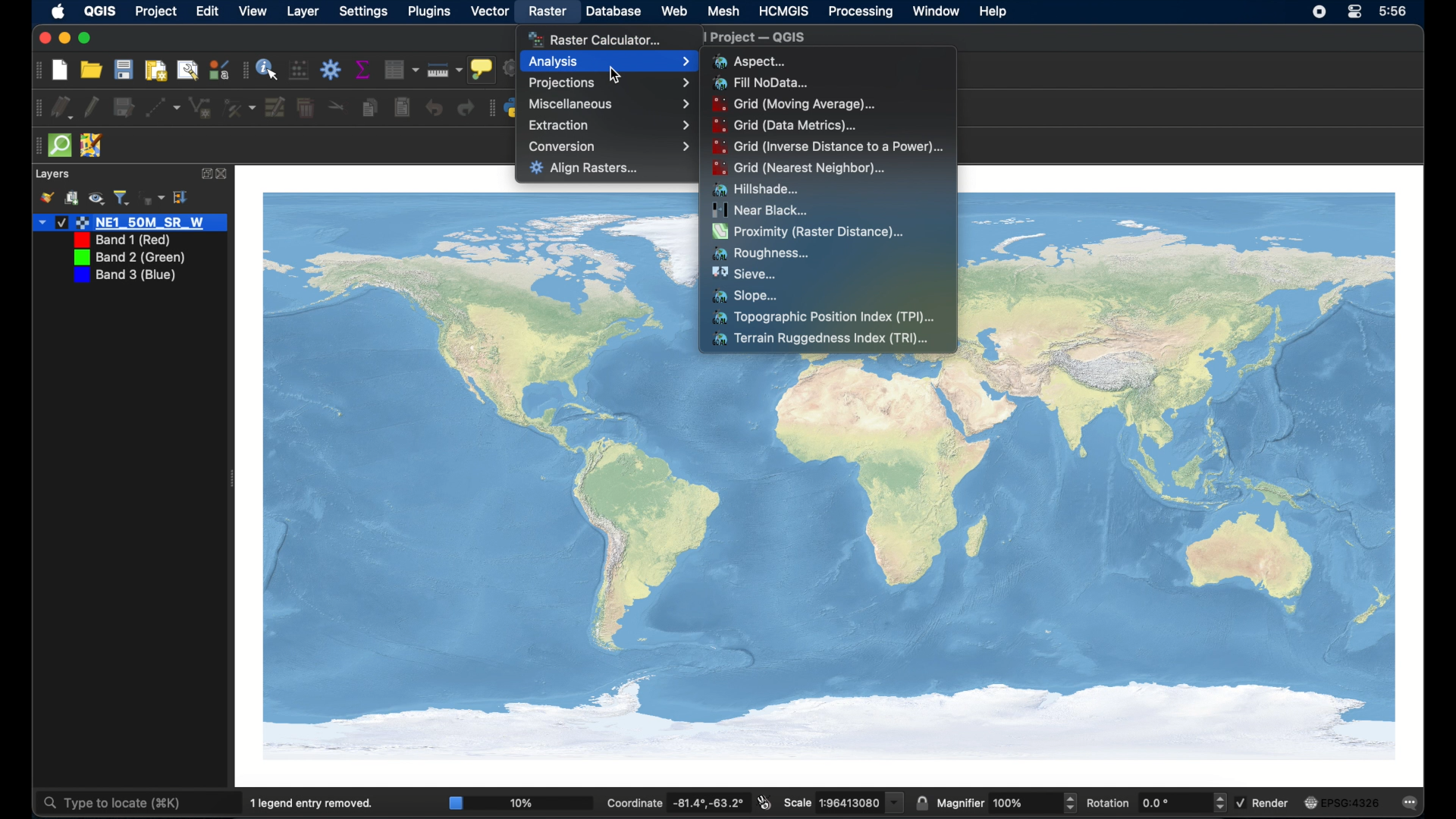 The width and height of the screenshot is (1456, 819). Describe the element at coordinates (243, 70) in the screenshot. I see `drag handle` at that location.